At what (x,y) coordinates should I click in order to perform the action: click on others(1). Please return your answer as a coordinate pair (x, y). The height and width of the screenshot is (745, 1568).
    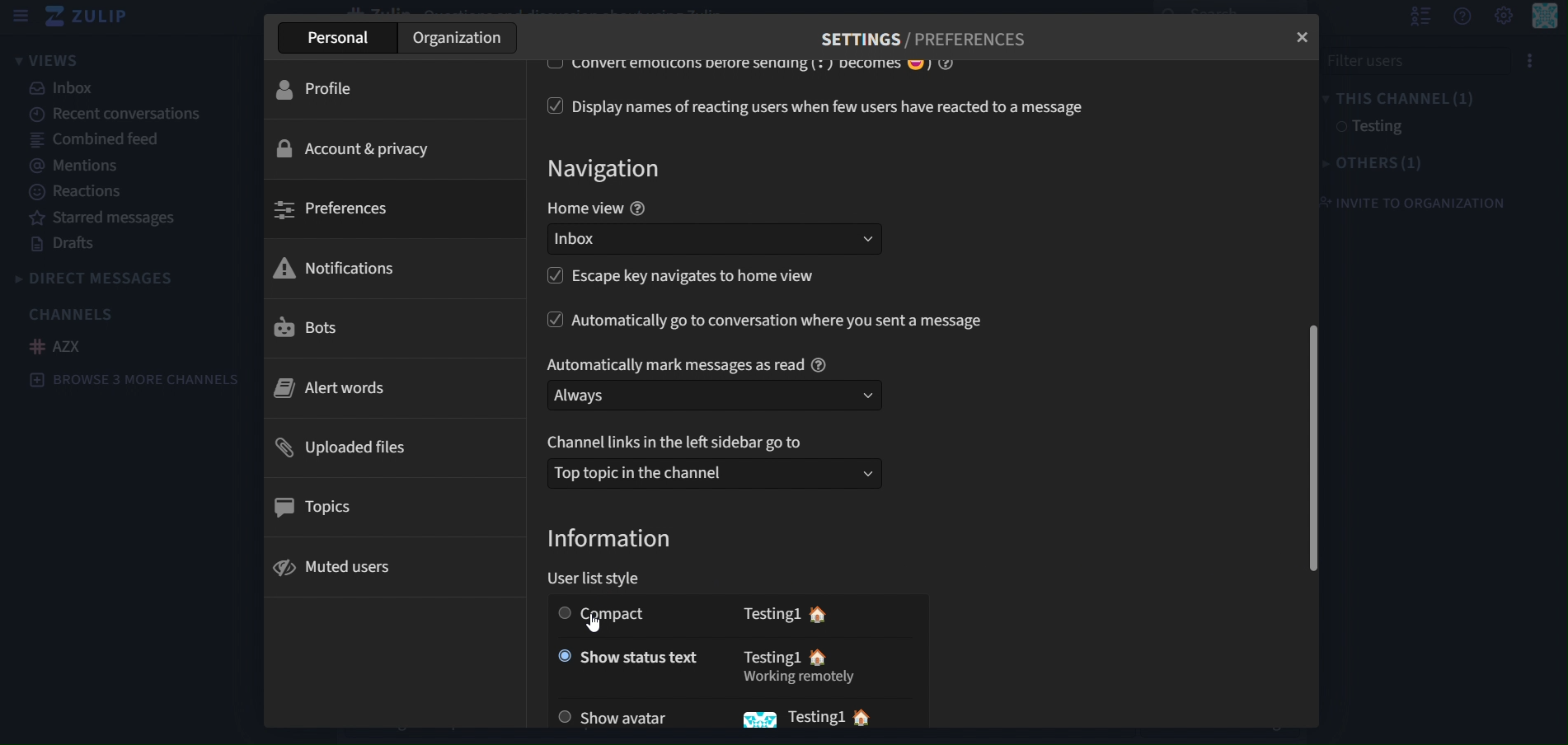
    Looking at the image, I should click on (1376, 162).